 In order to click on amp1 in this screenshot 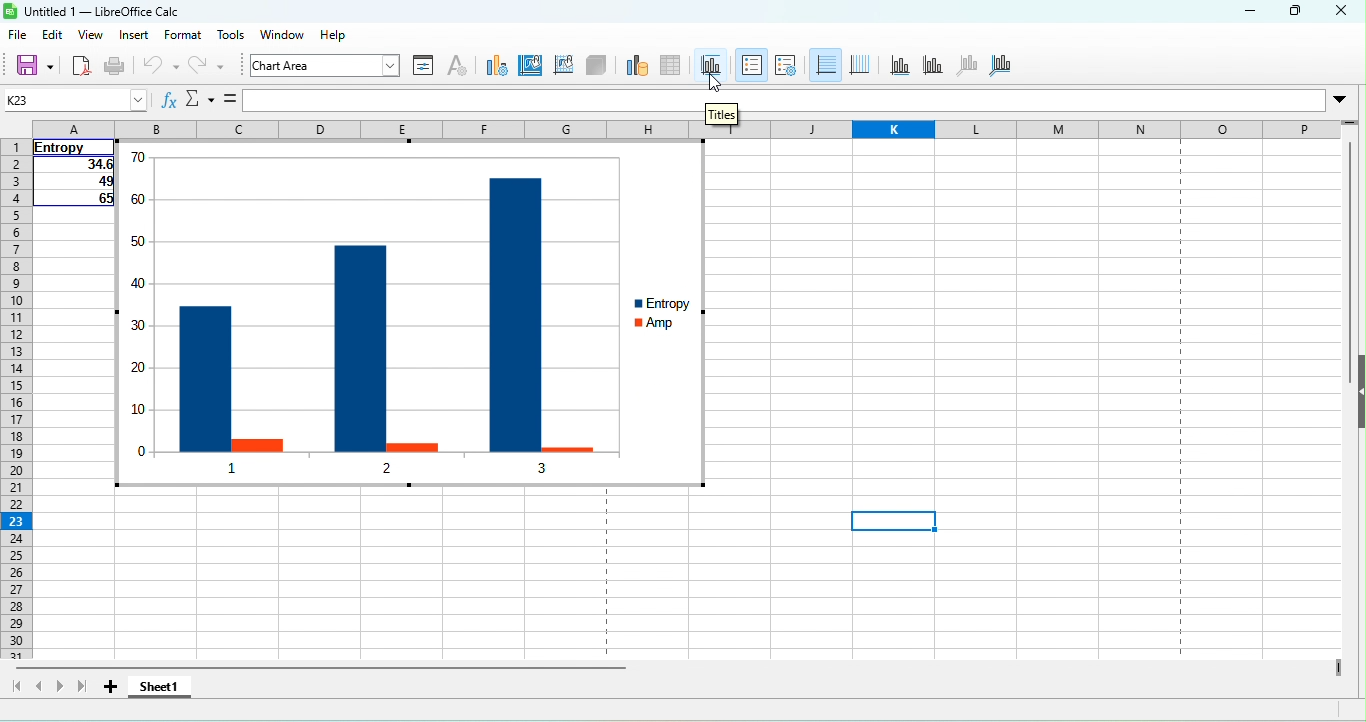, I will do `click(258, 444)`.